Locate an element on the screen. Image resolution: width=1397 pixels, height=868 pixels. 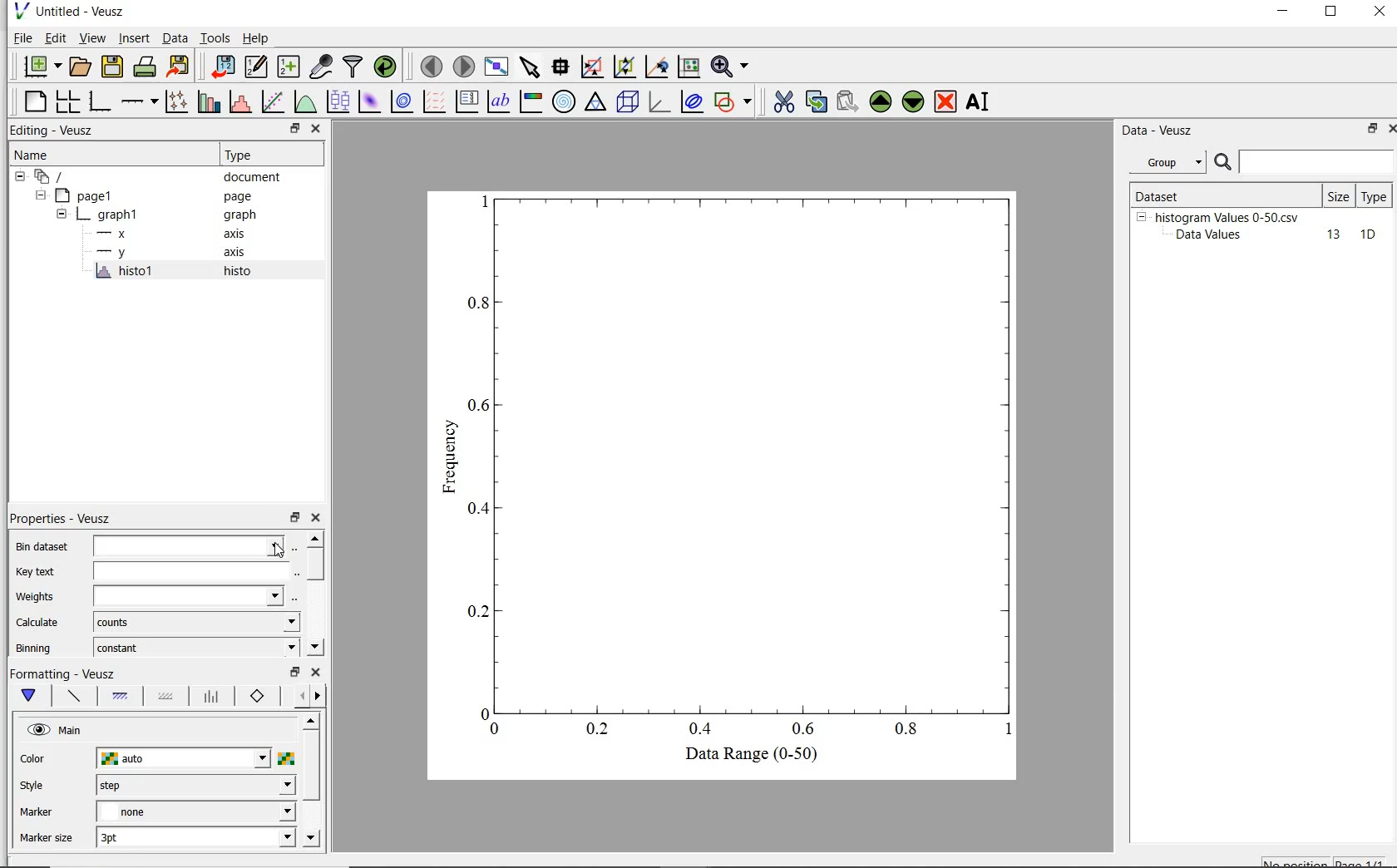
next is located at coordinates (318, 698).